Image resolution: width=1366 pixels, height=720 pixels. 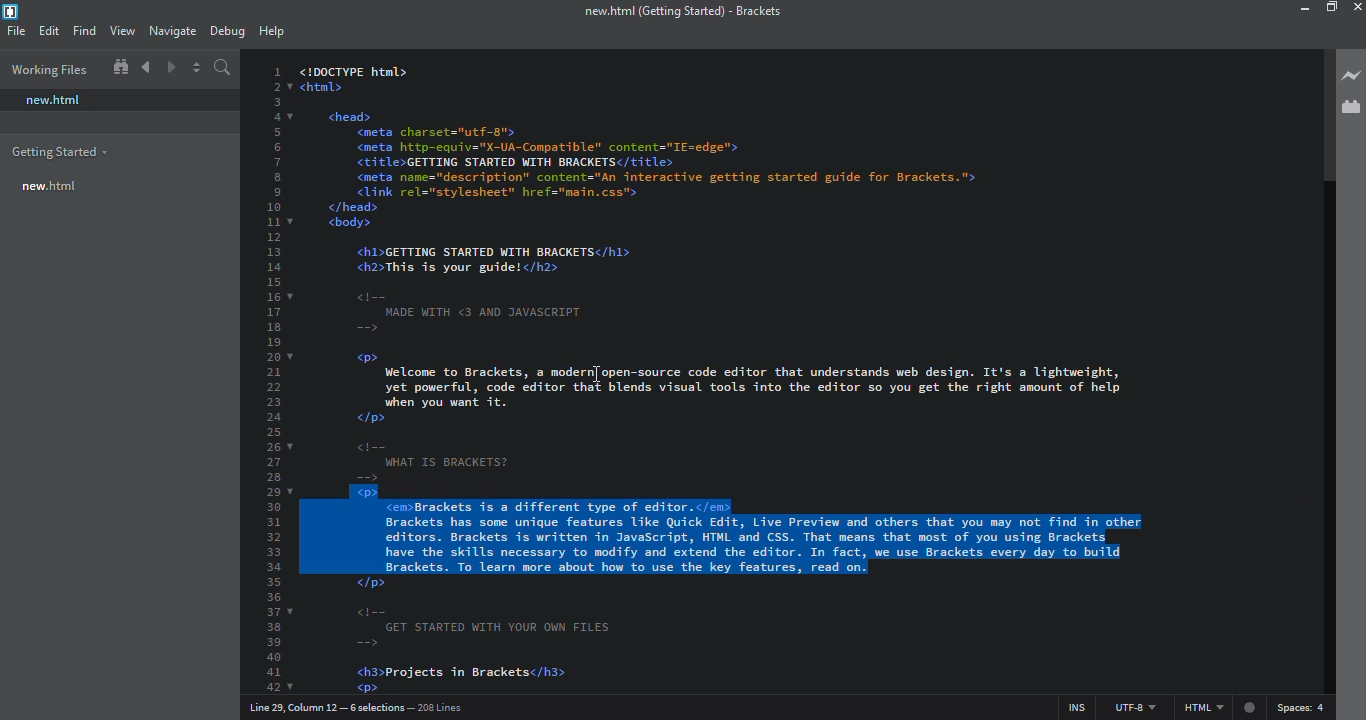 I want to click on new, so click(x=57, y=100).